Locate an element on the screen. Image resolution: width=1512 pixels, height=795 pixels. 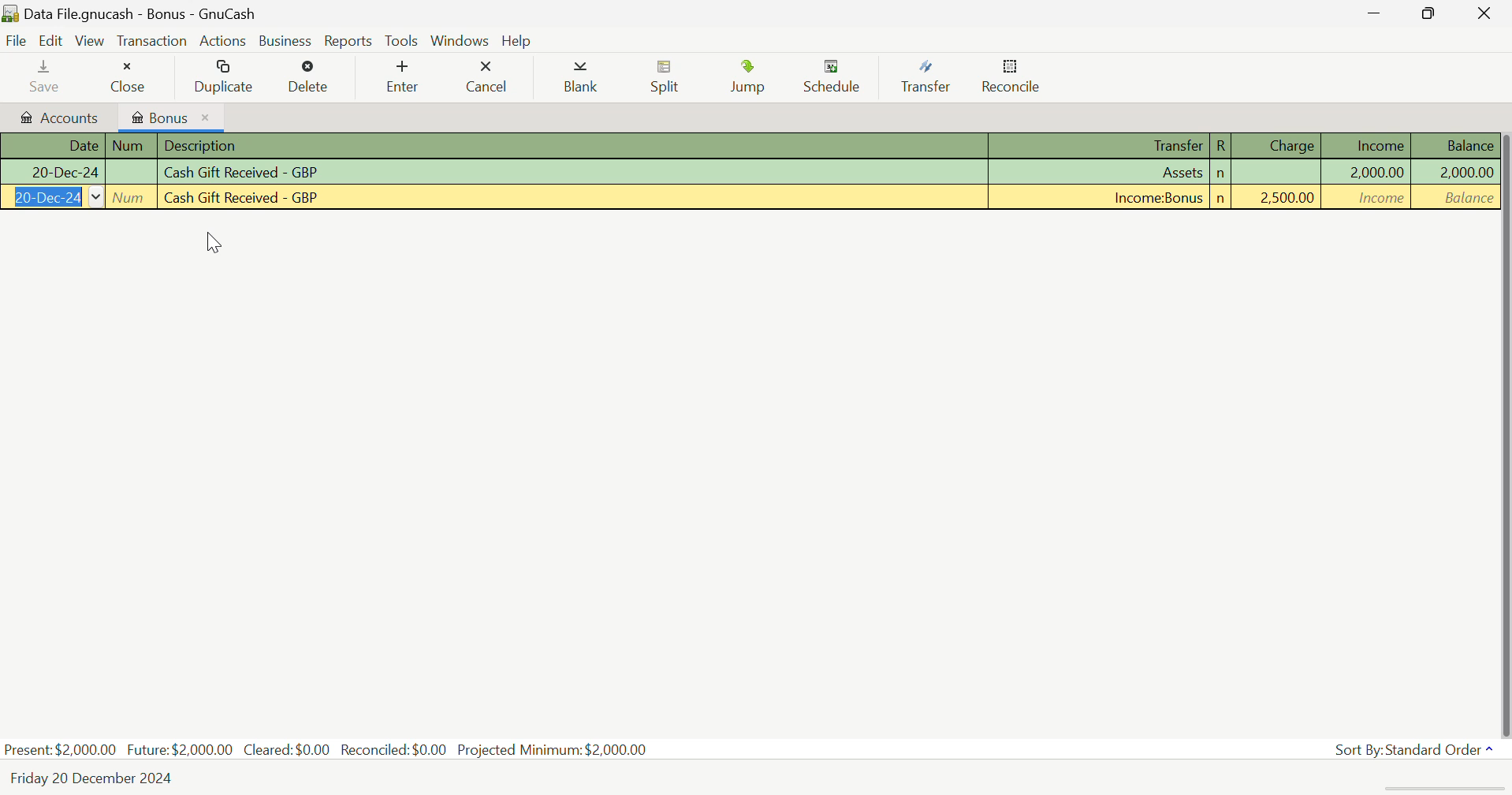
Num is located at coordinates (132, 172).